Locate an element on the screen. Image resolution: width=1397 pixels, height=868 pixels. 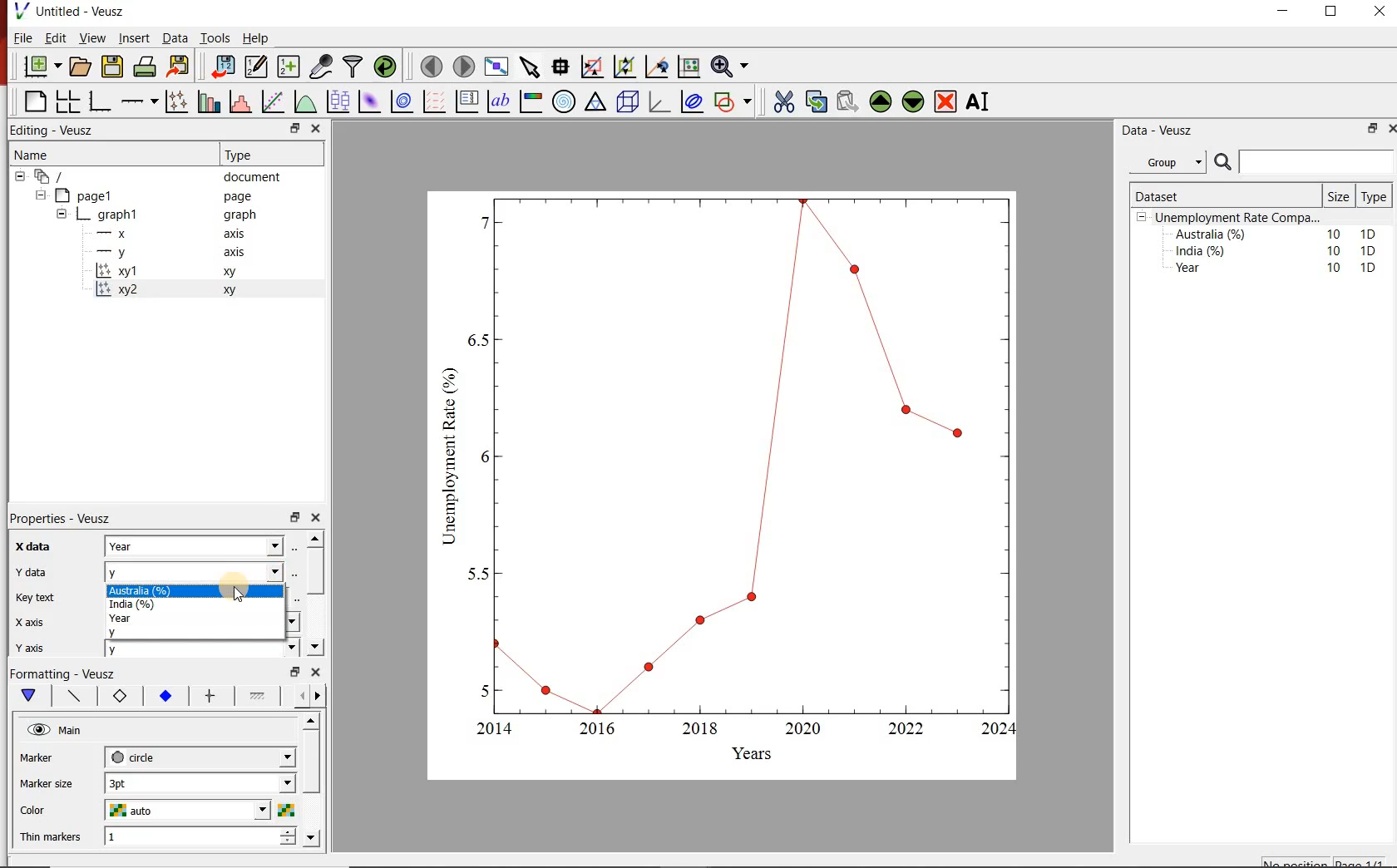
increase is located at coordinates (290, 831).